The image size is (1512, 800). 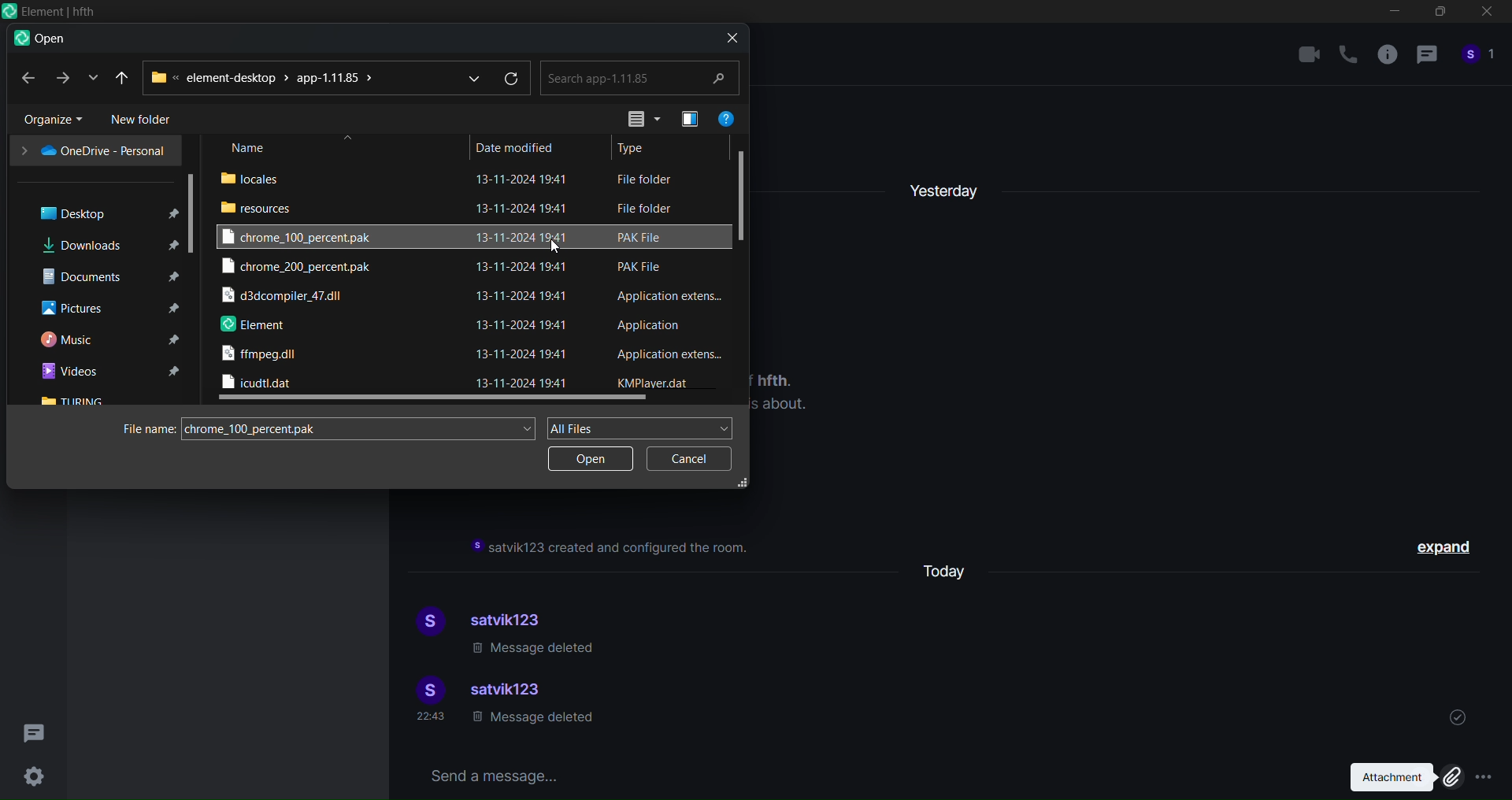 I want to click on Cursor, so click(x=561, y=247).